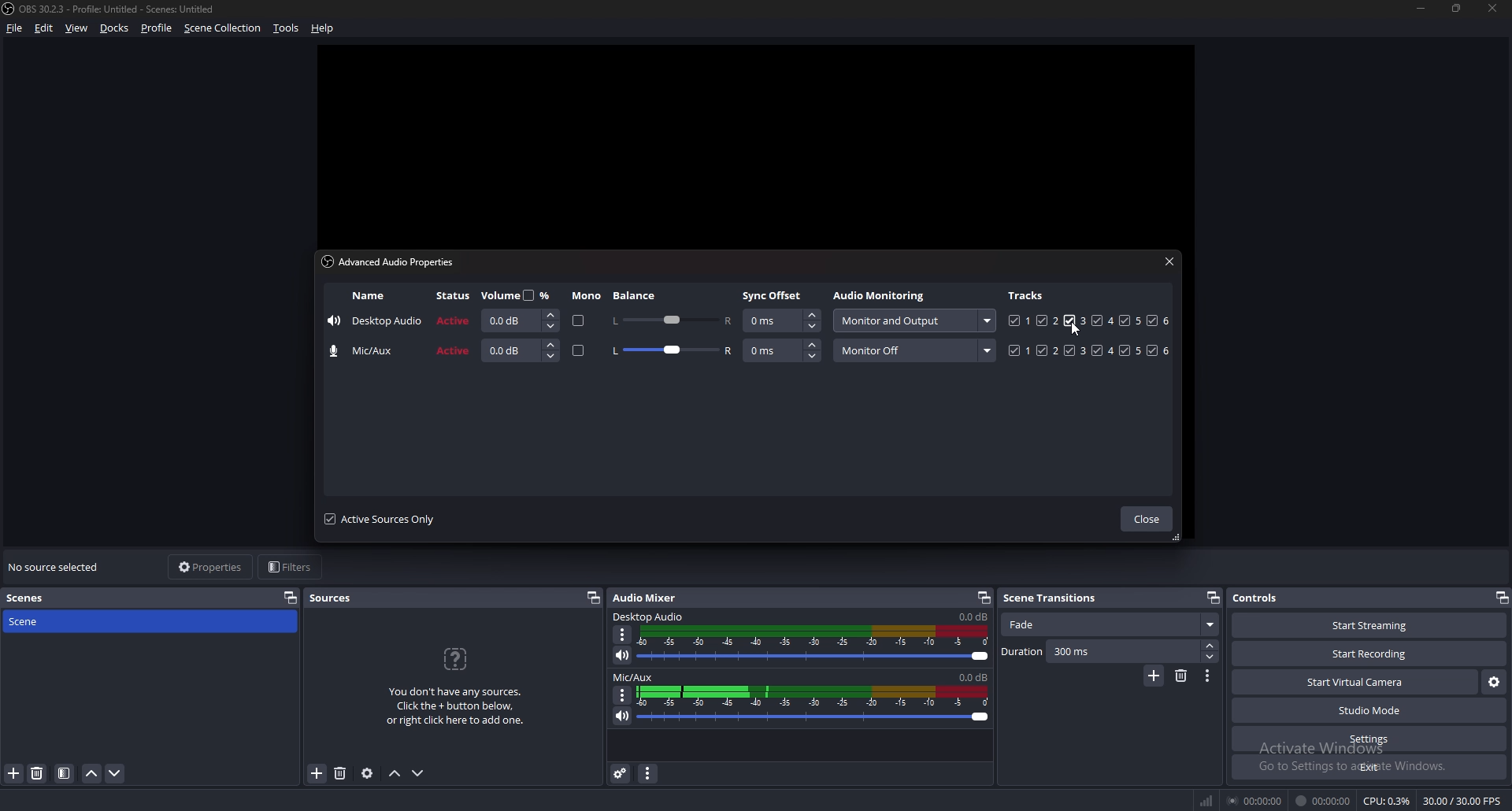  Describe the element at coordinates (1183, 676) in the screenshot. I see `delete scene` at that location.